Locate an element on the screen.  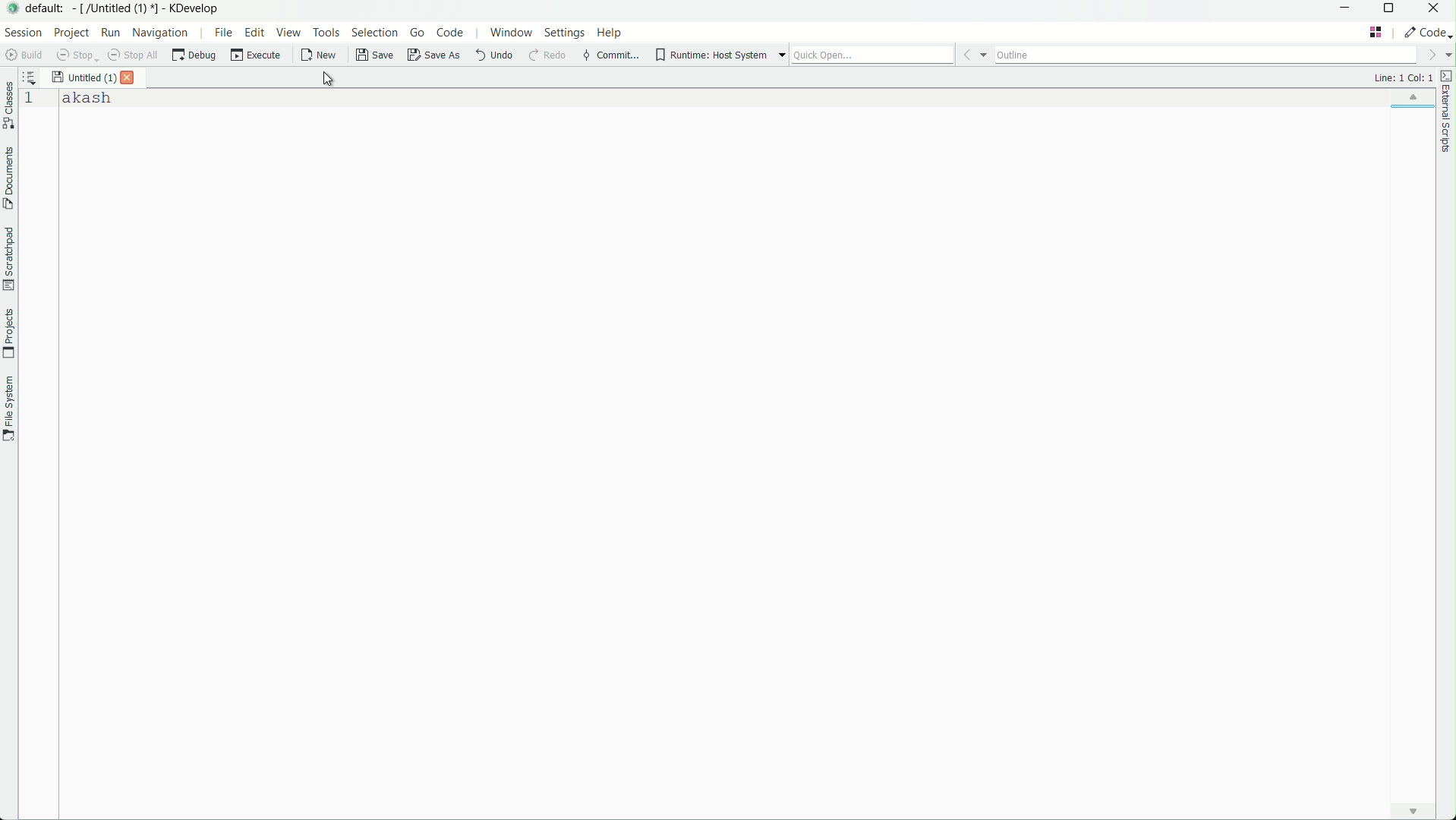
tools is located at coordinates (328, 32).